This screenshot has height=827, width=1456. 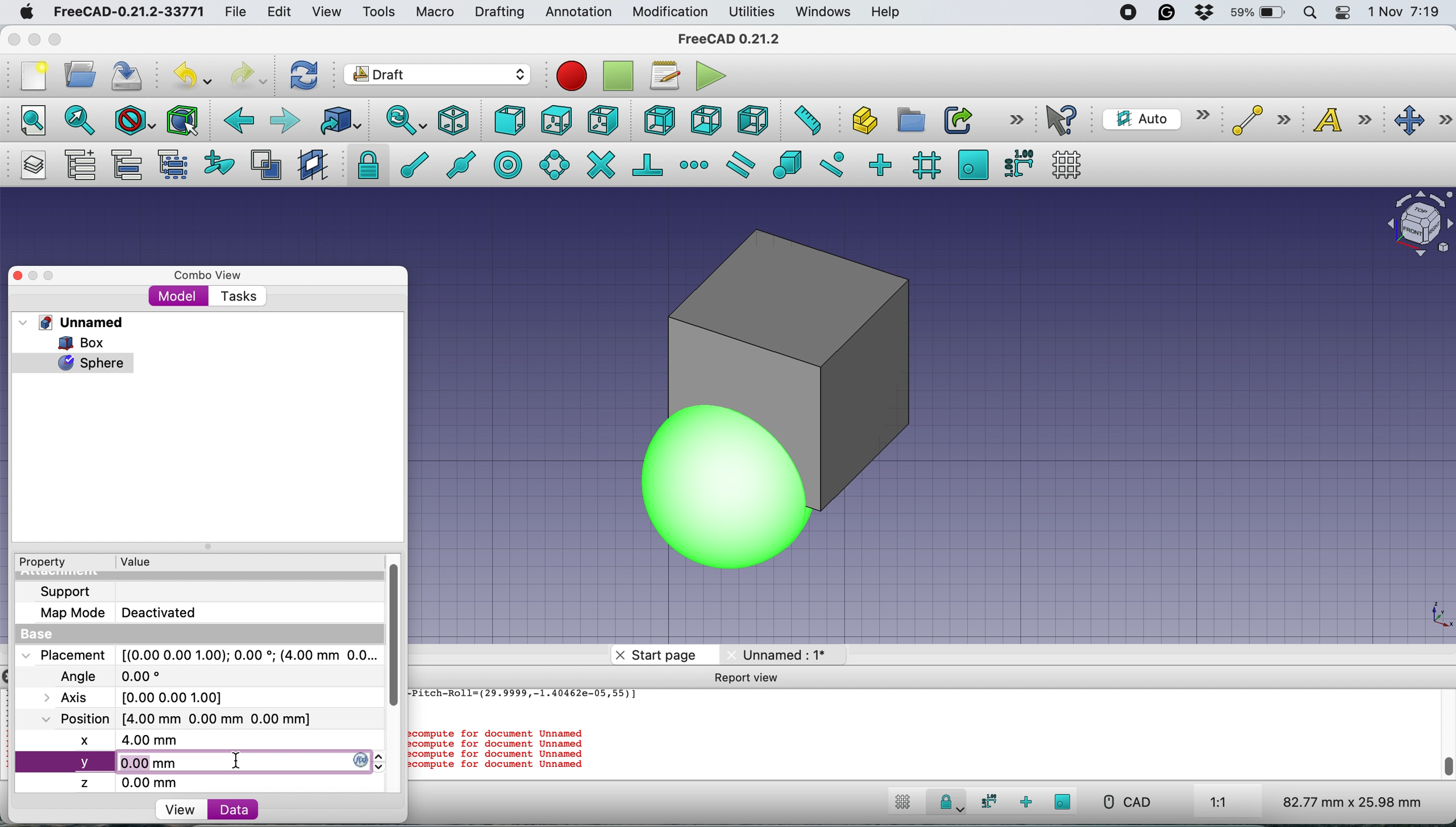 I want to click on snap grid, so click(x=925, y=165).